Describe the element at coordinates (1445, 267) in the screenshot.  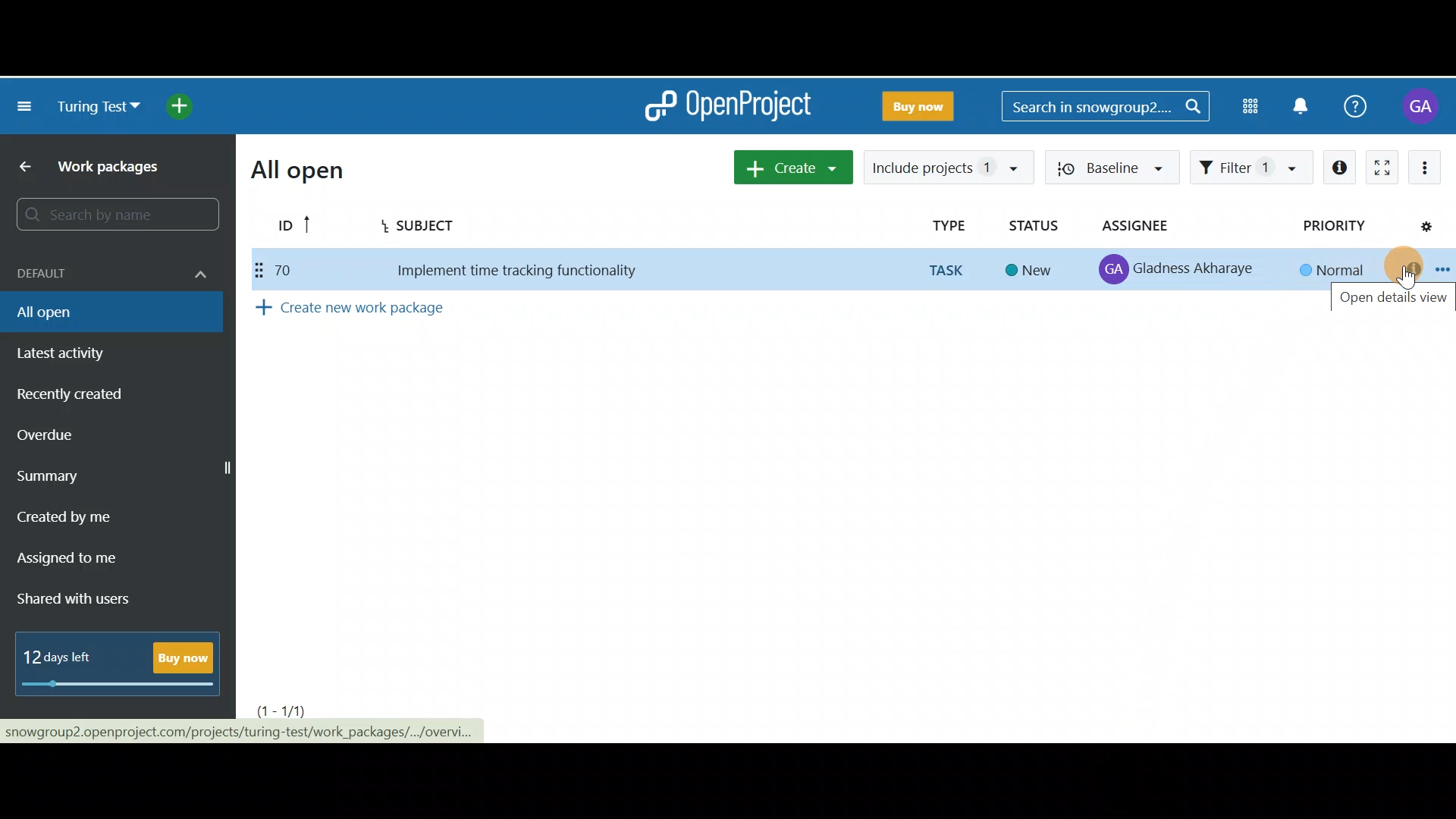
I see `Open context menu` at that location.